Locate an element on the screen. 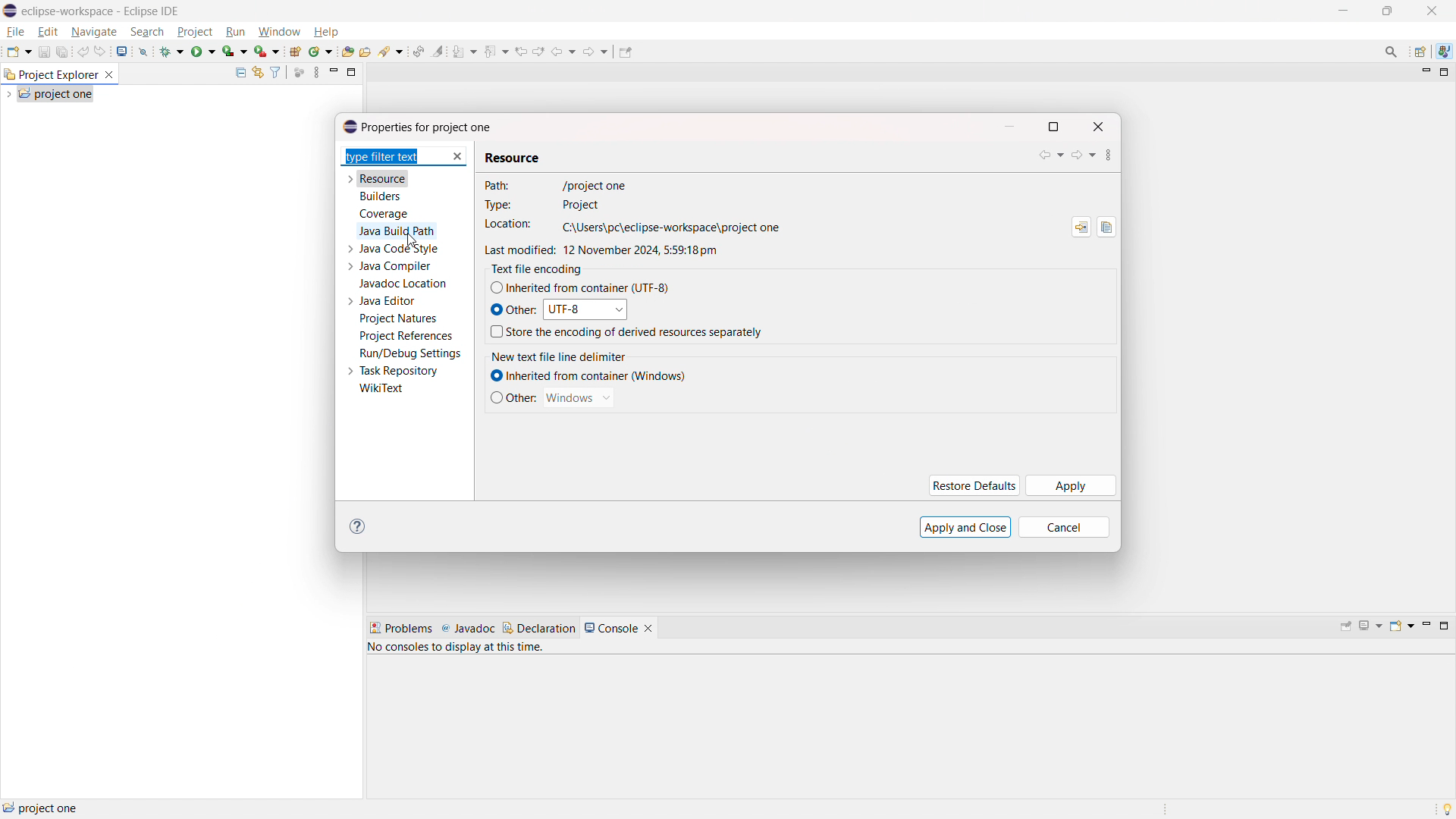 This screenshot has width=1456, height=819. help is located at coordinates (325, 32).